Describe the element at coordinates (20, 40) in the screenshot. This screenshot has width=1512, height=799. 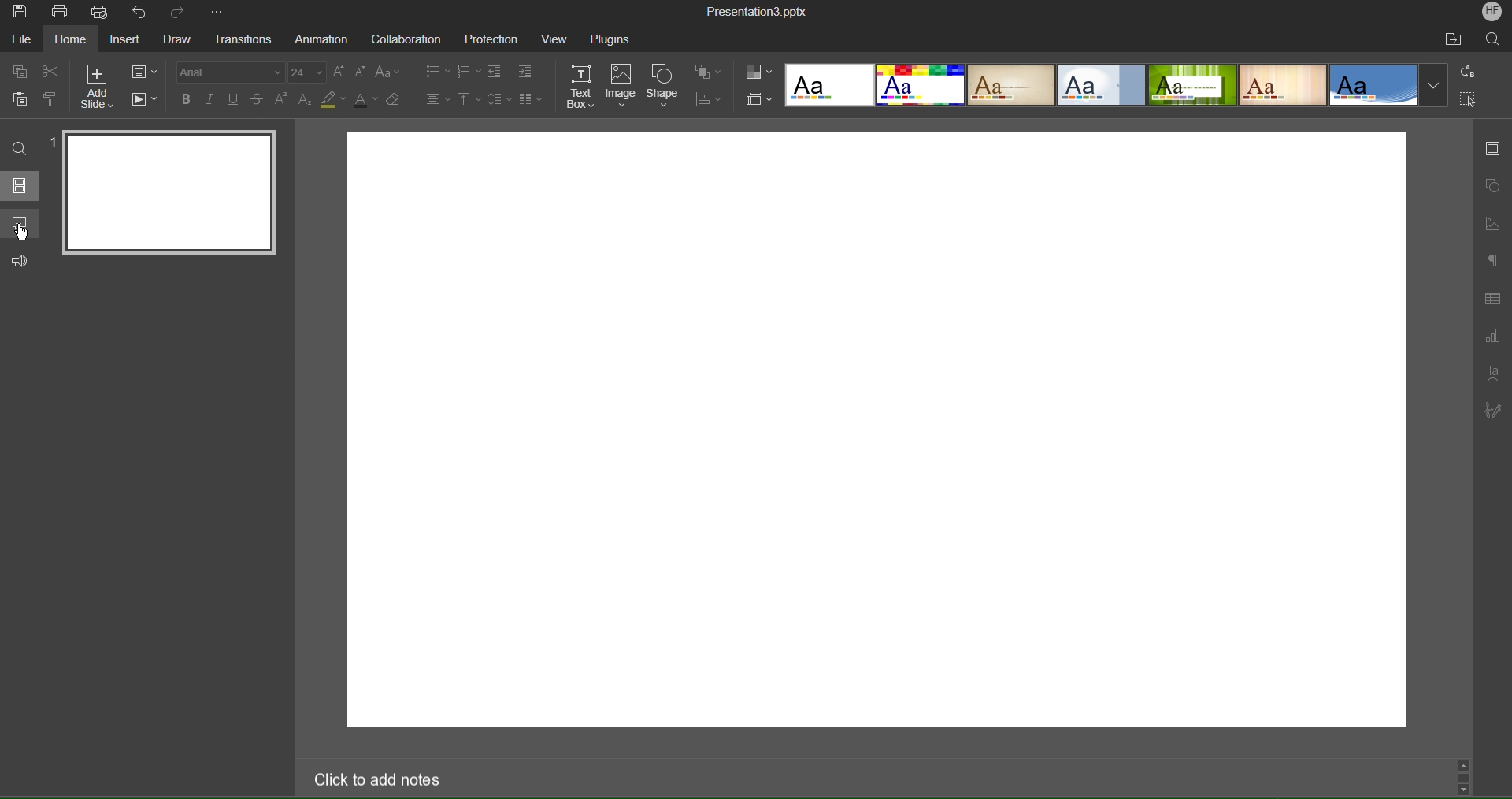
I see `File` at that location.